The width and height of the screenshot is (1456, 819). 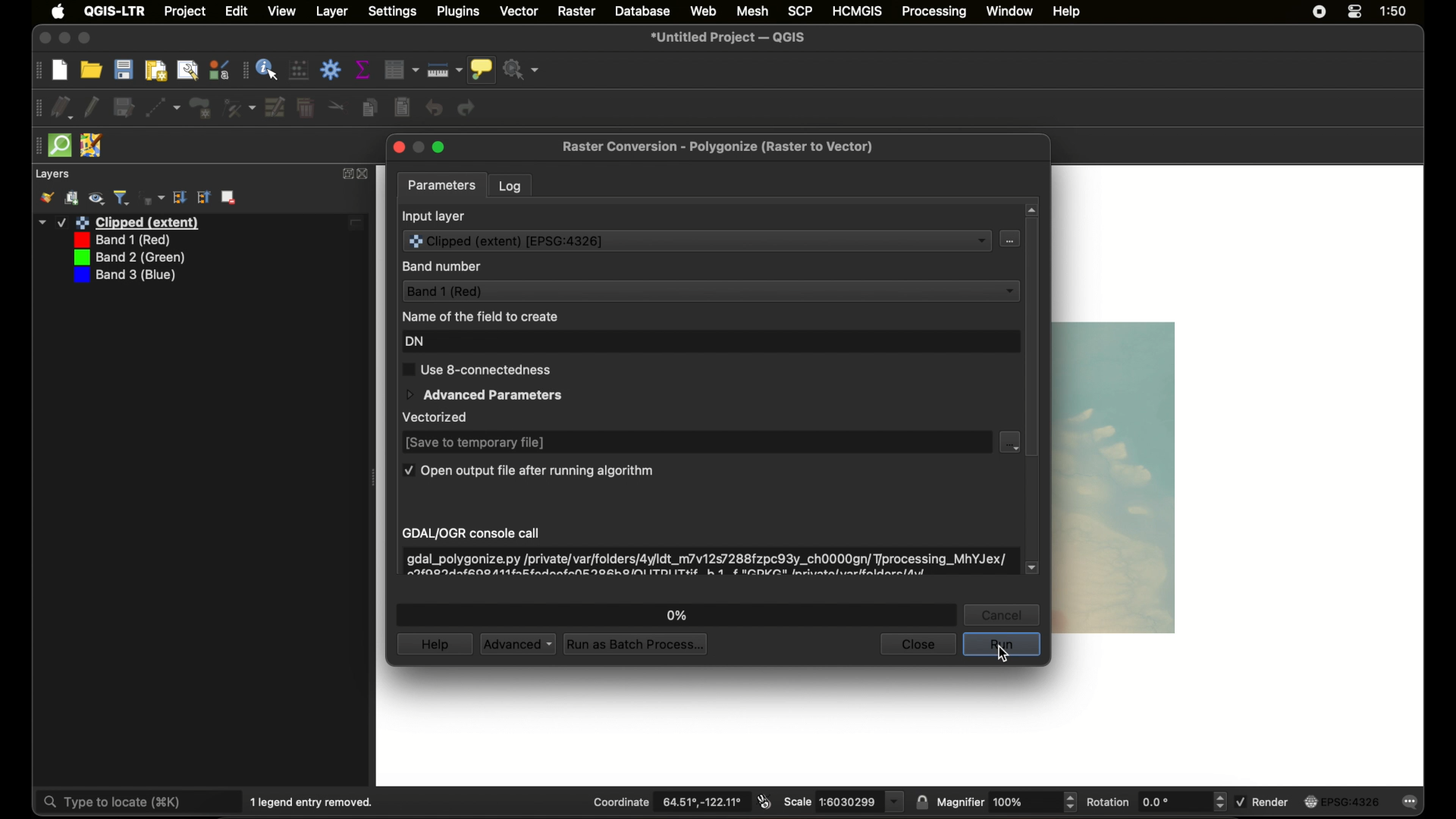 What do you see at coordinates (415, 342) in the screenshot?
I see `dn` at bounding box center [415, 342].